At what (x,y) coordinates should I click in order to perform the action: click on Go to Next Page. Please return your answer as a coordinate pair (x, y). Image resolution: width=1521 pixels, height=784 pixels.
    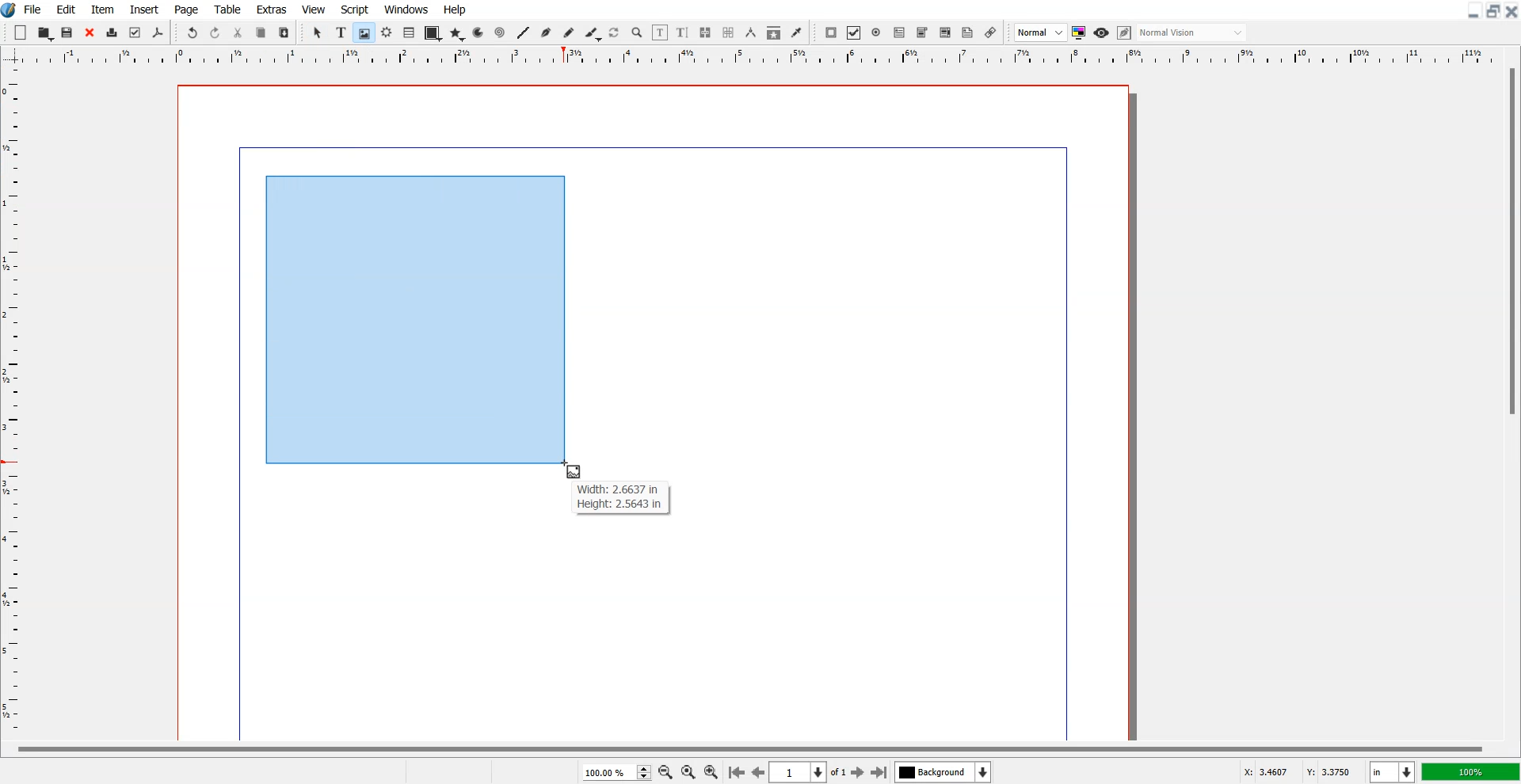
    Looking at the image, I should click on (860, 773).